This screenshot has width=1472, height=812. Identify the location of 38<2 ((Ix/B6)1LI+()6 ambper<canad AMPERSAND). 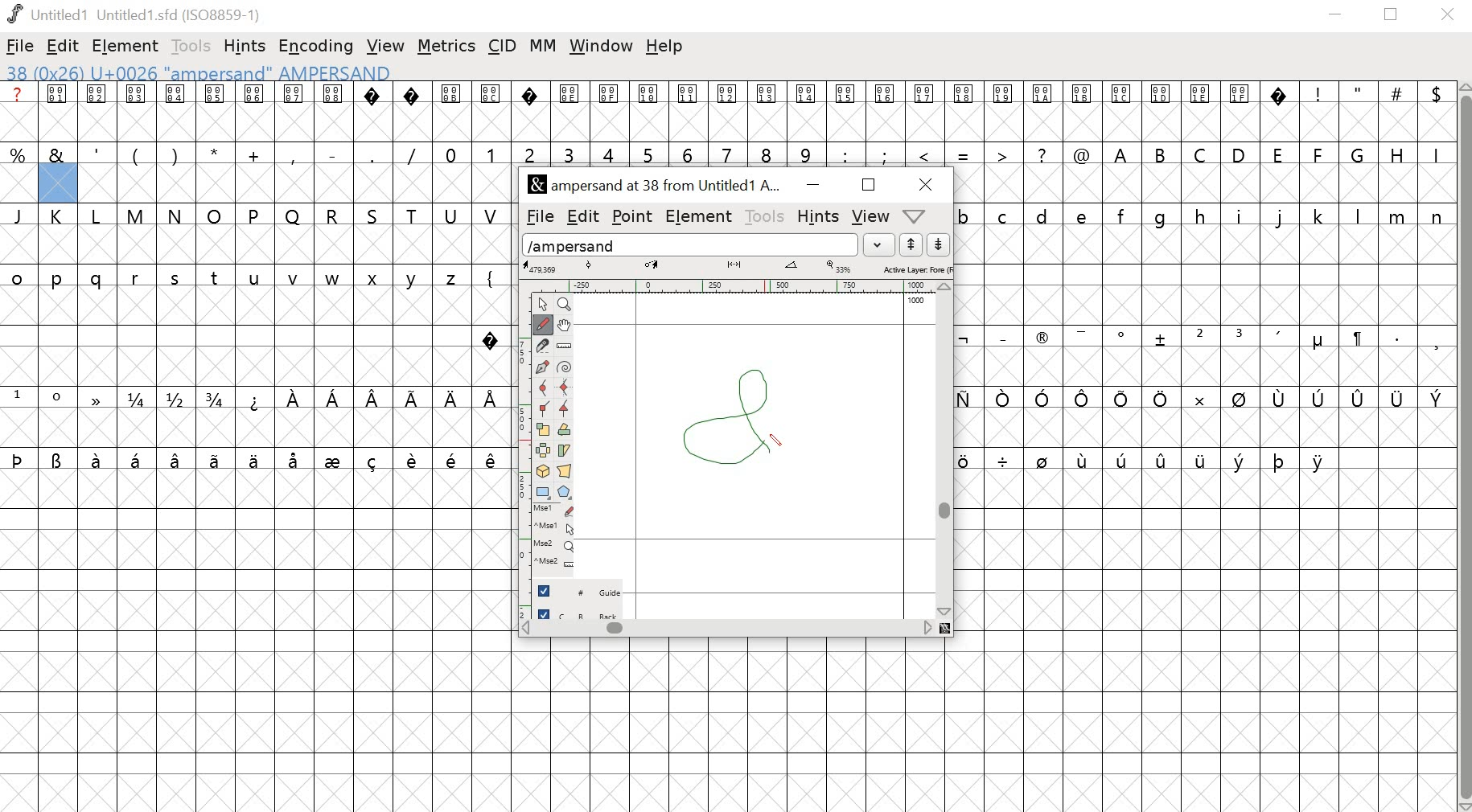
(197, 72).